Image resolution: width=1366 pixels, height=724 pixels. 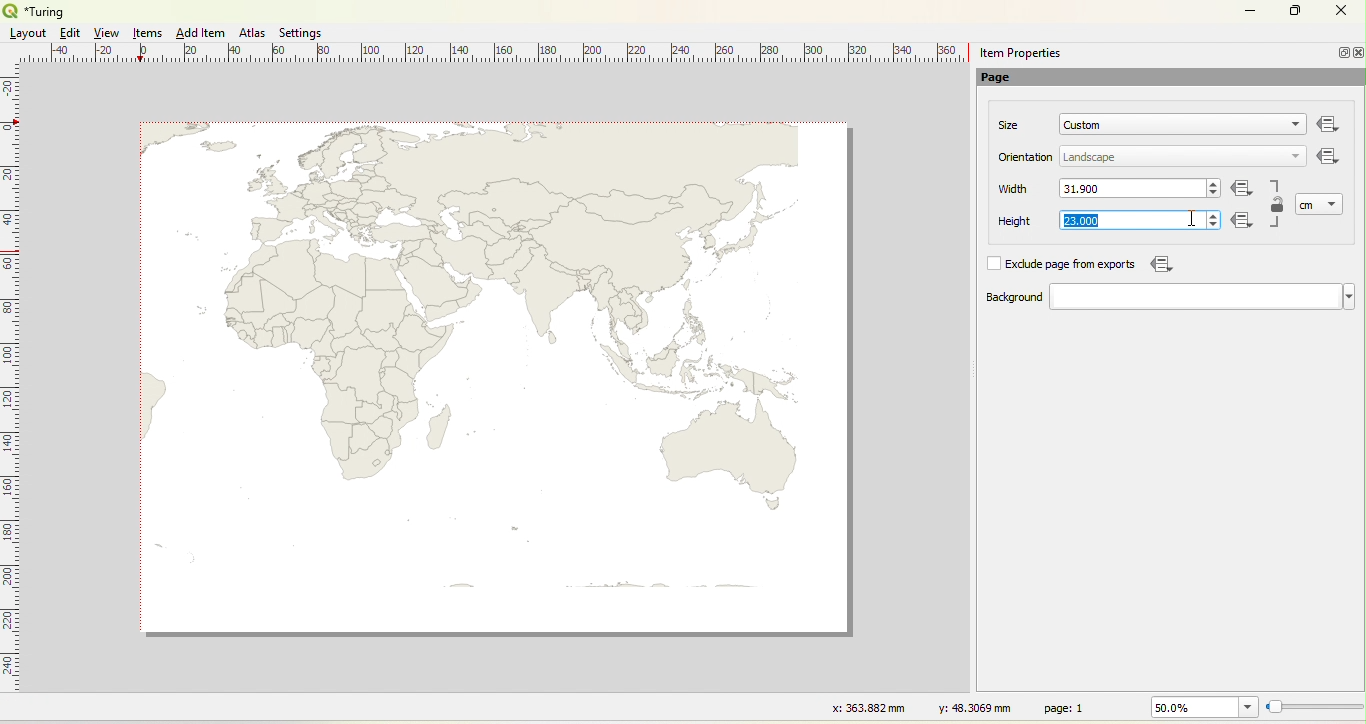 I want to click on Edit, so click(x=68, y=33).